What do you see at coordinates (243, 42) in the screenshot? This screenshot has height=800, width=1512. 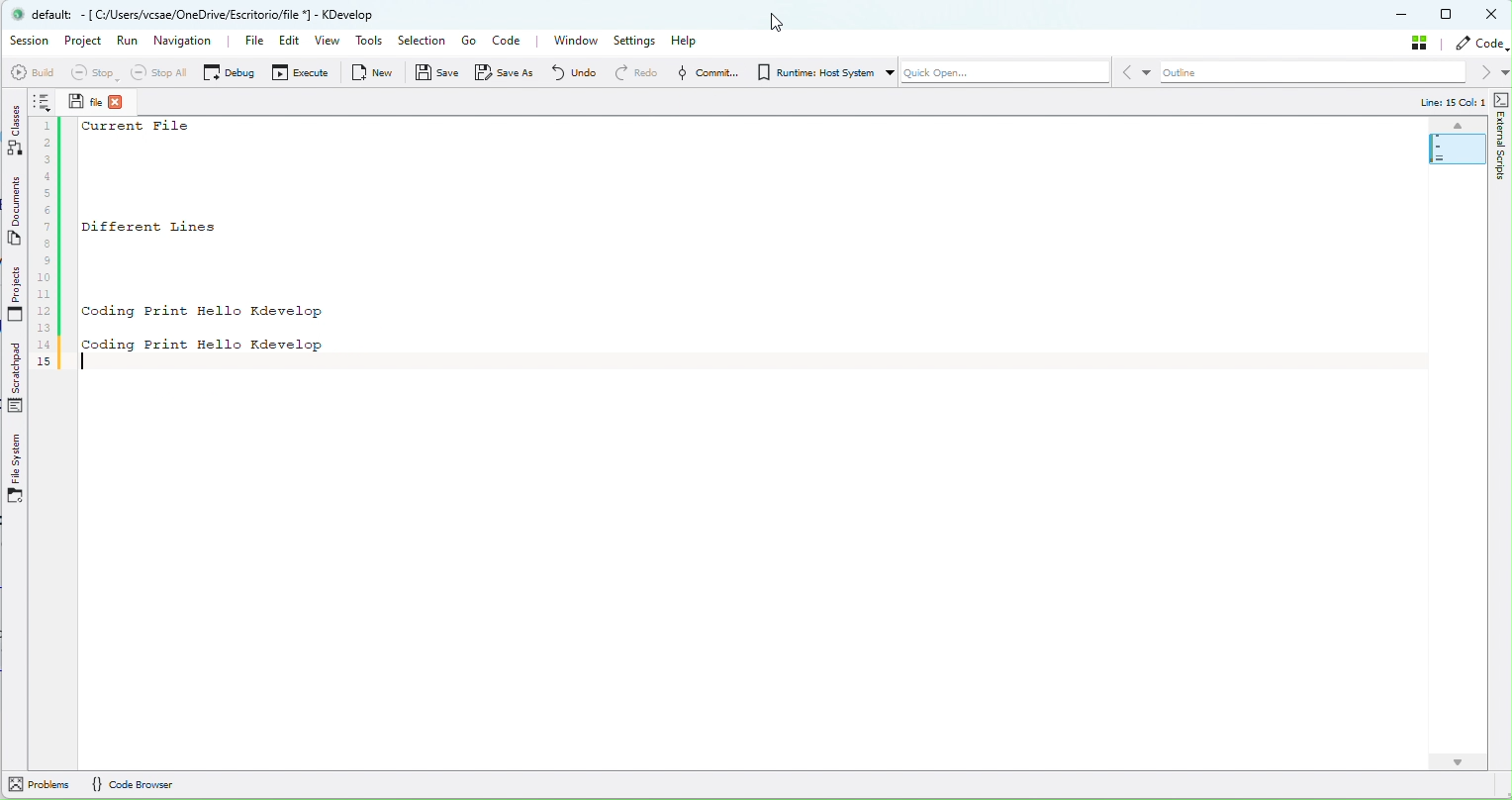 I see `File` at bounding box center [243, 42].